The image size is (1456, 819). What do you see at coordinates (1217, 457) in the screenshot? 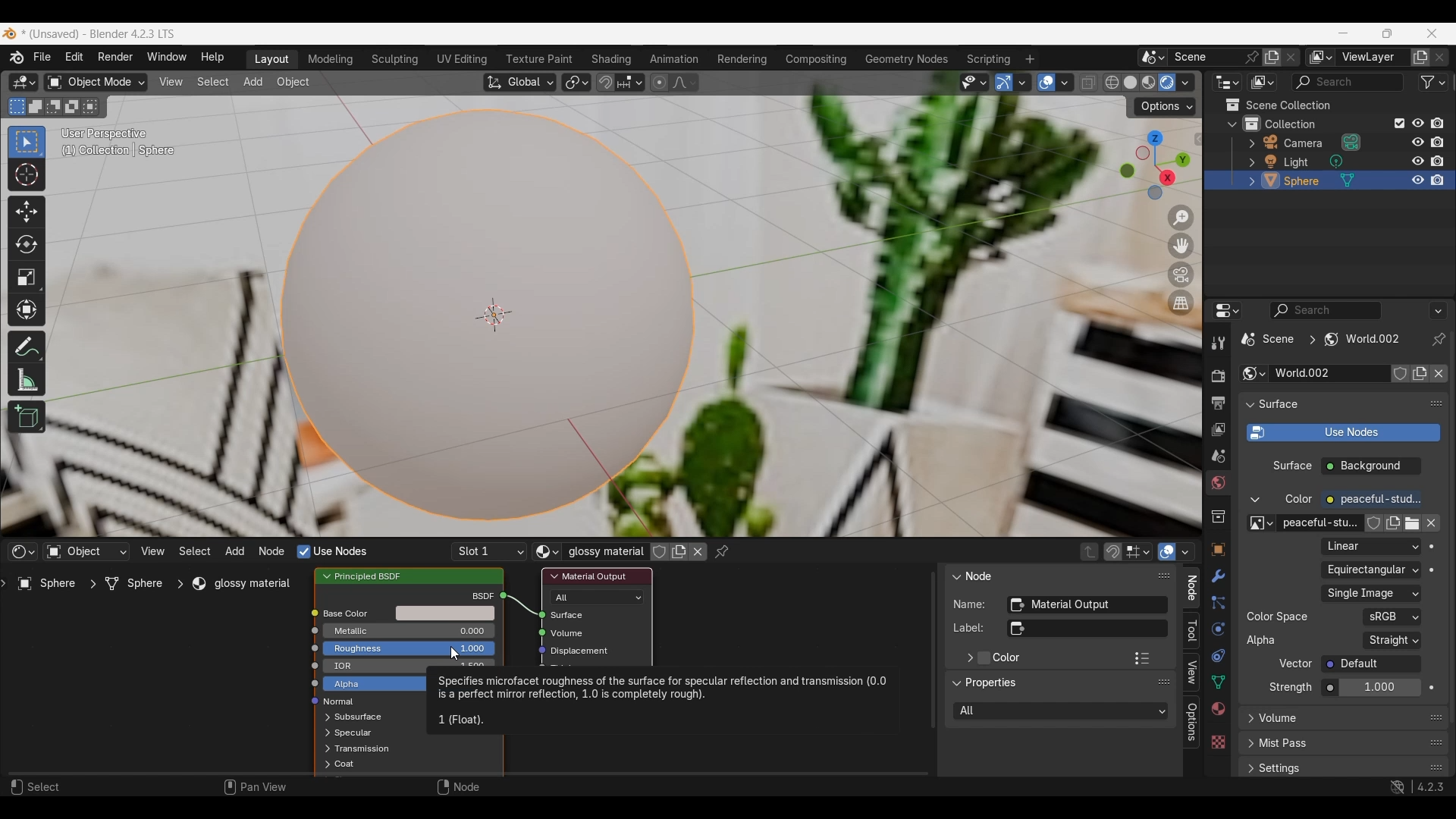
I see `Scene properties` at bounding box center [1217, 457].